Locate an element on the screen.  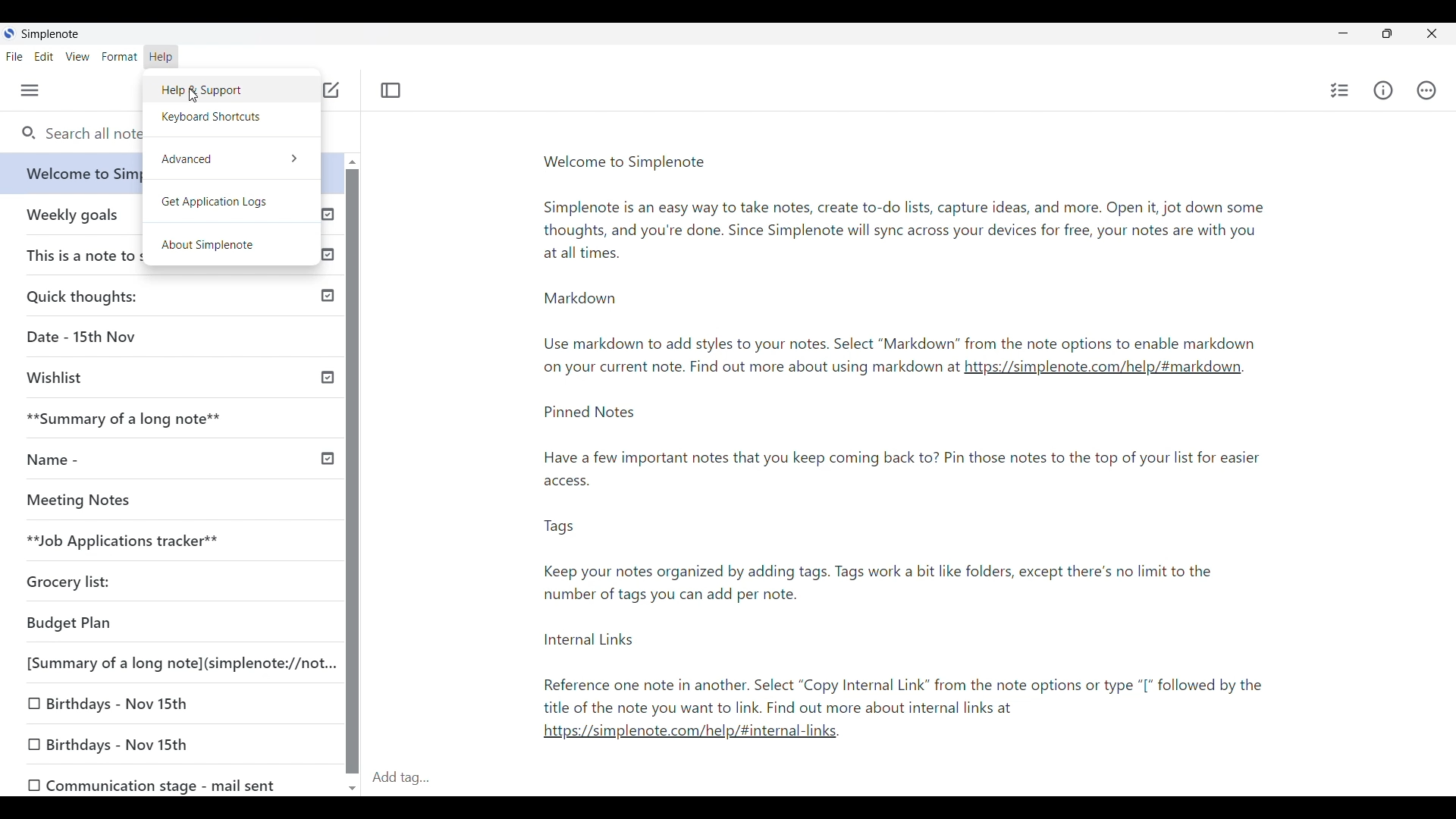
Minimize is located at coordinates (1343, 33).